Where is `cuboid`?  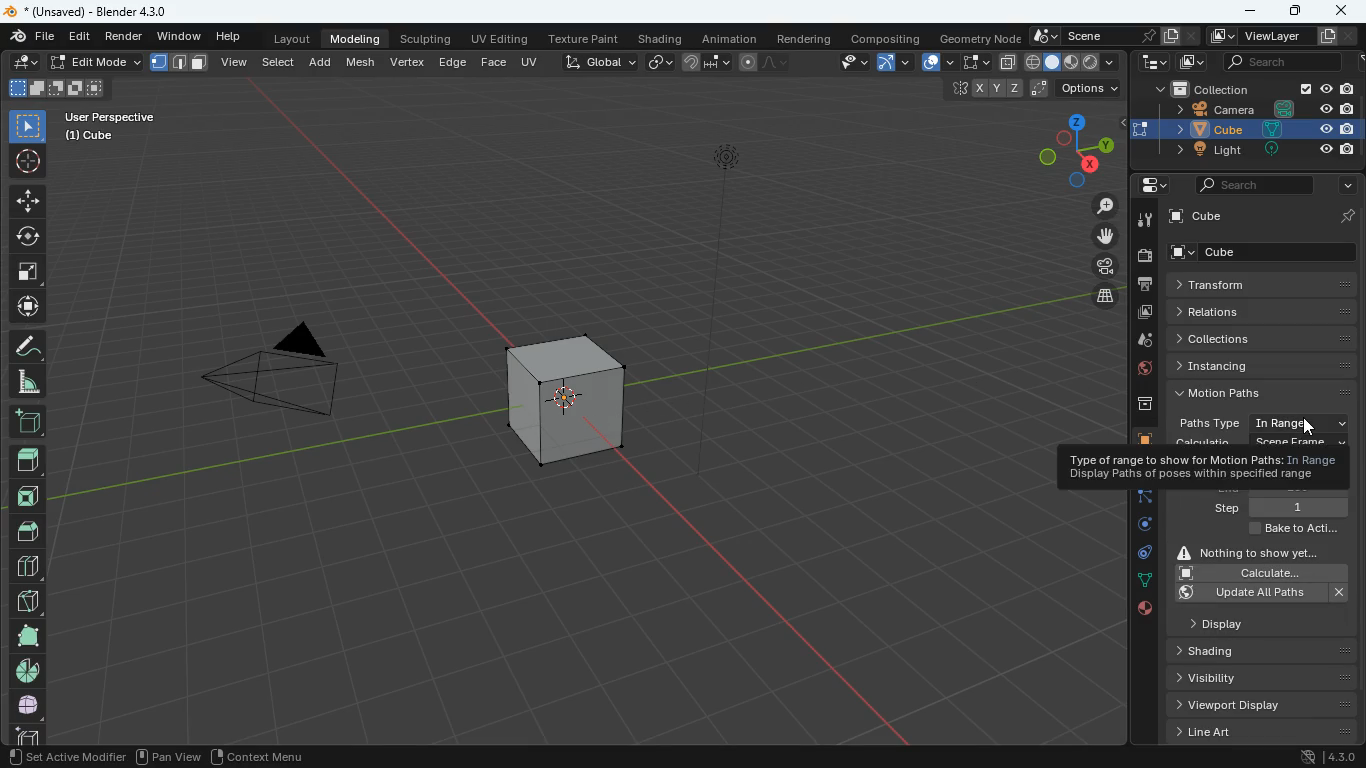
cuboid is located at coordinates (24, 734).